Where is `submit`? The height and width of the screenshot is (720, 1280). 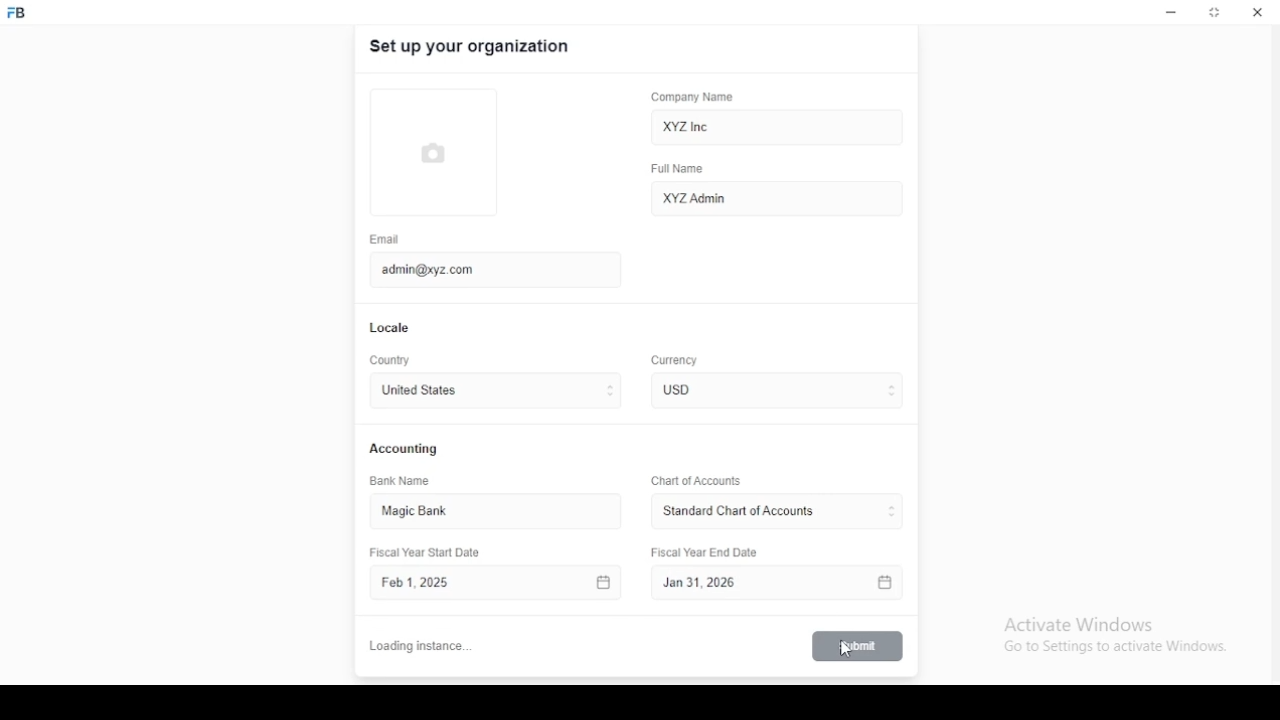
submit is located at coordinates (859, 646).